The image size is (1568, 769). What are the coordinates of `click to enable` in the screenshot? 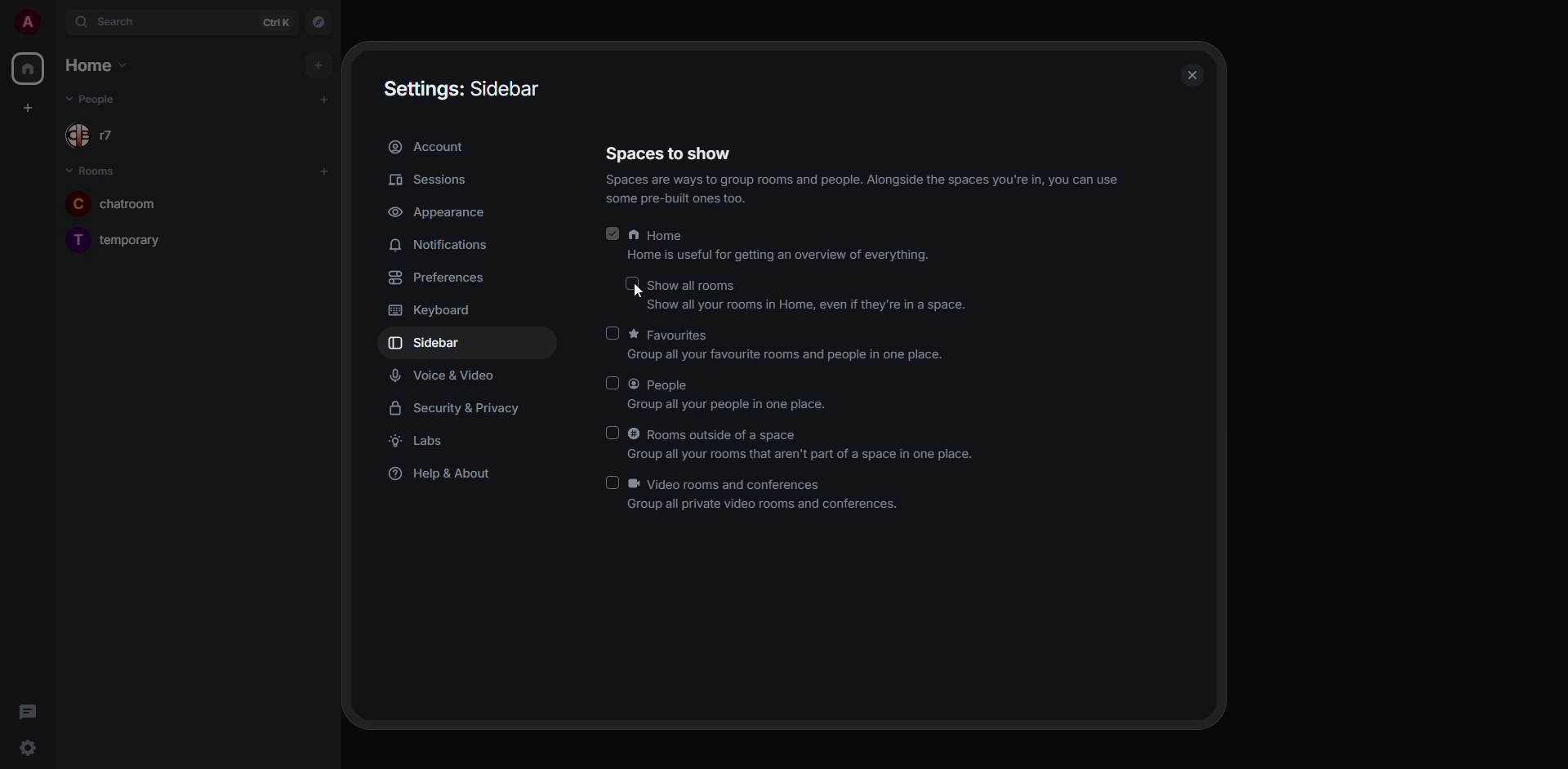 It's located at (628, 285).